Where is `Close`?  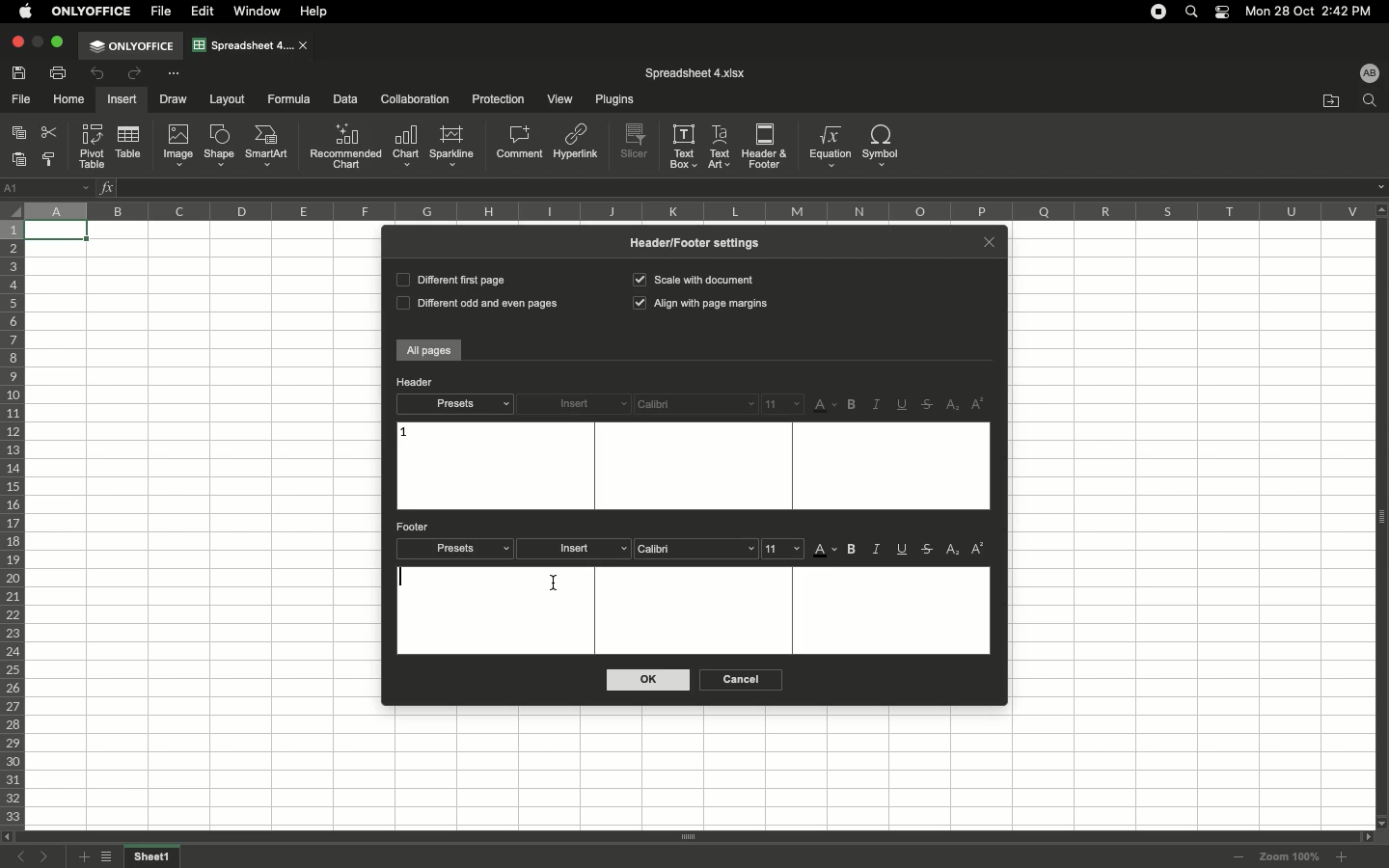 Close is located at coordinates (989, 240).